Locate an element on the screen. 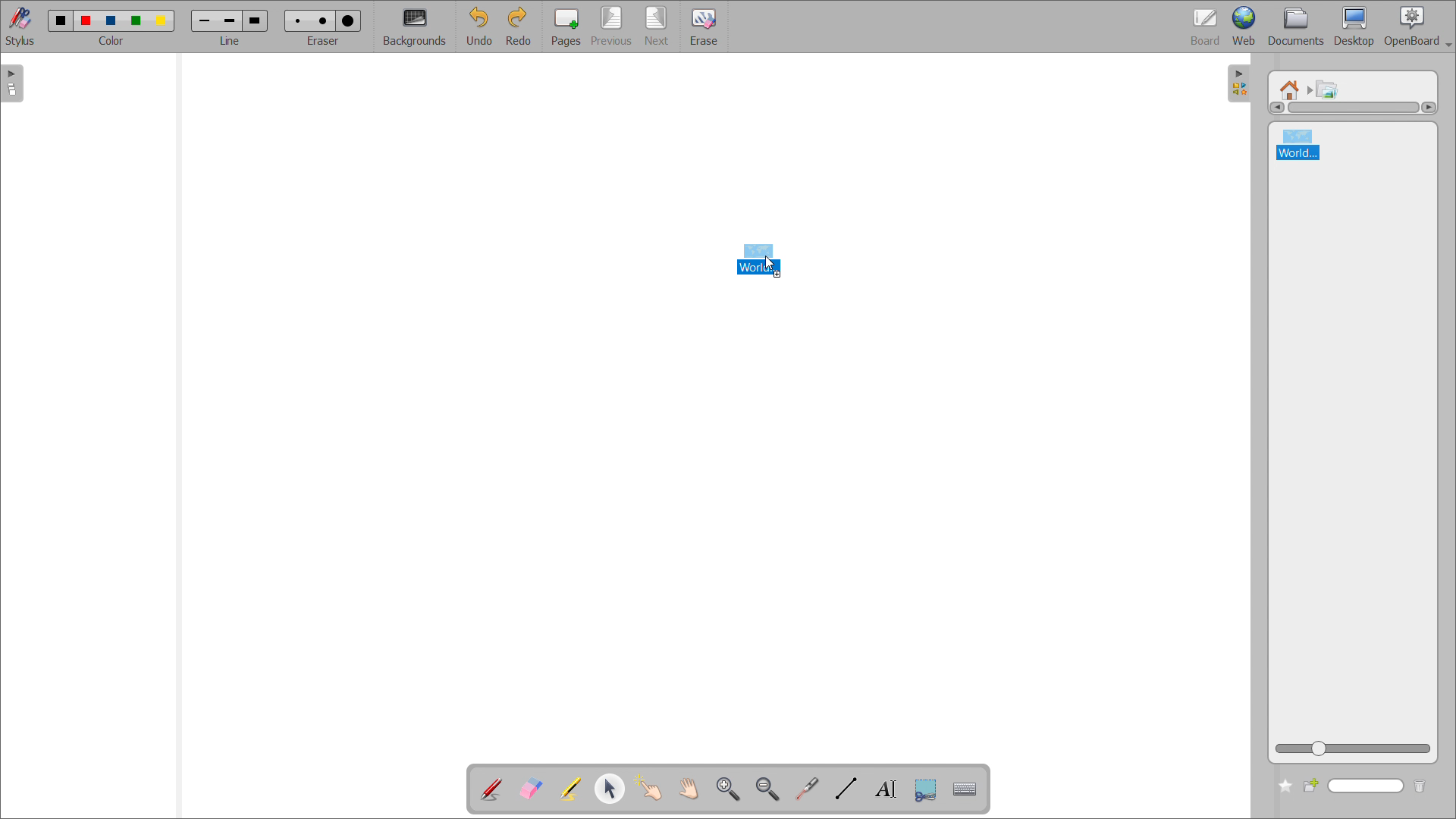 The image size is (1456, 819). draw lines is located at coordinates (845, 789).